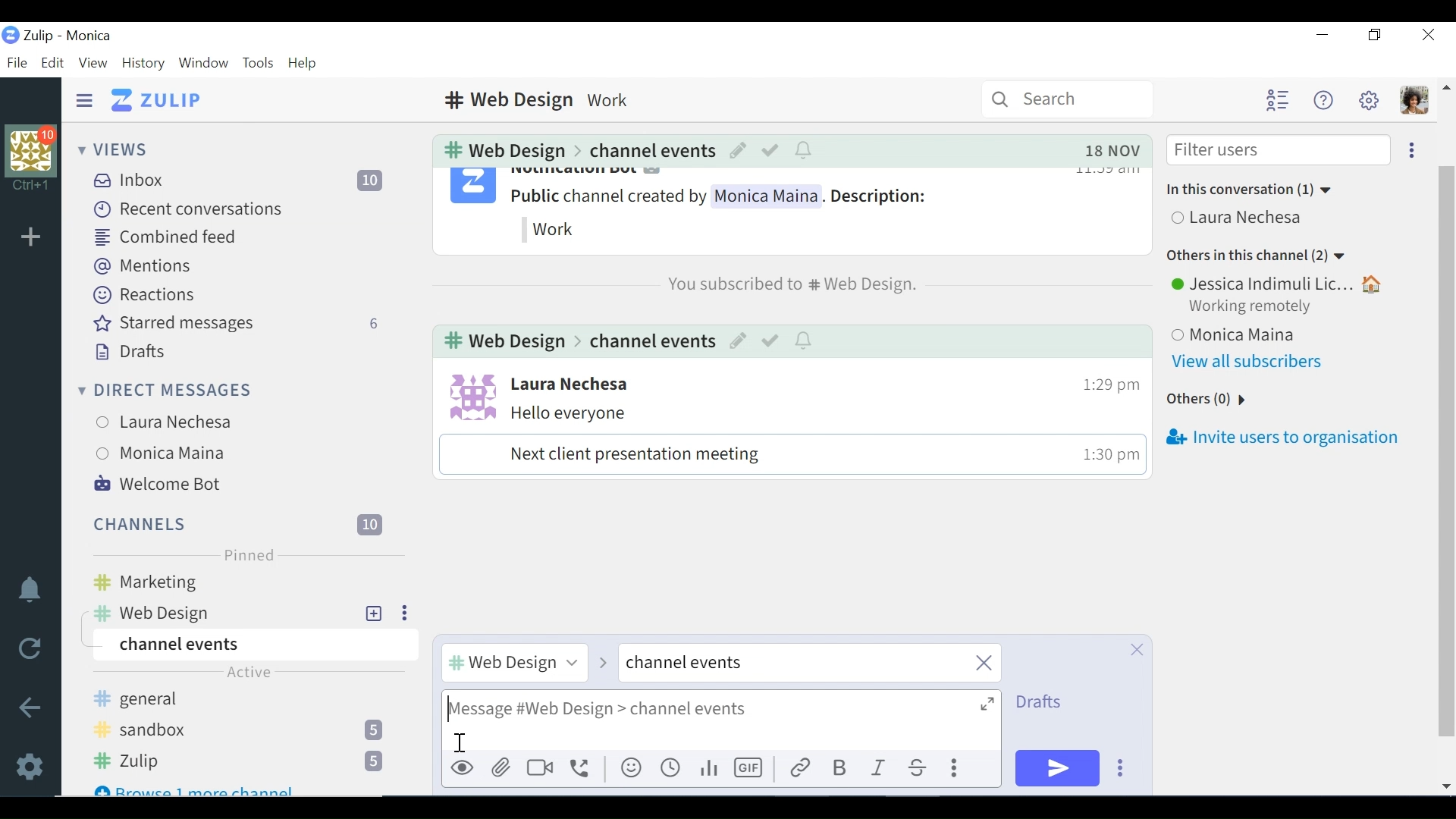  What do you see at coordinates (570, 384) in the screenshot?
I see `User` at bounding box center [570, 384].